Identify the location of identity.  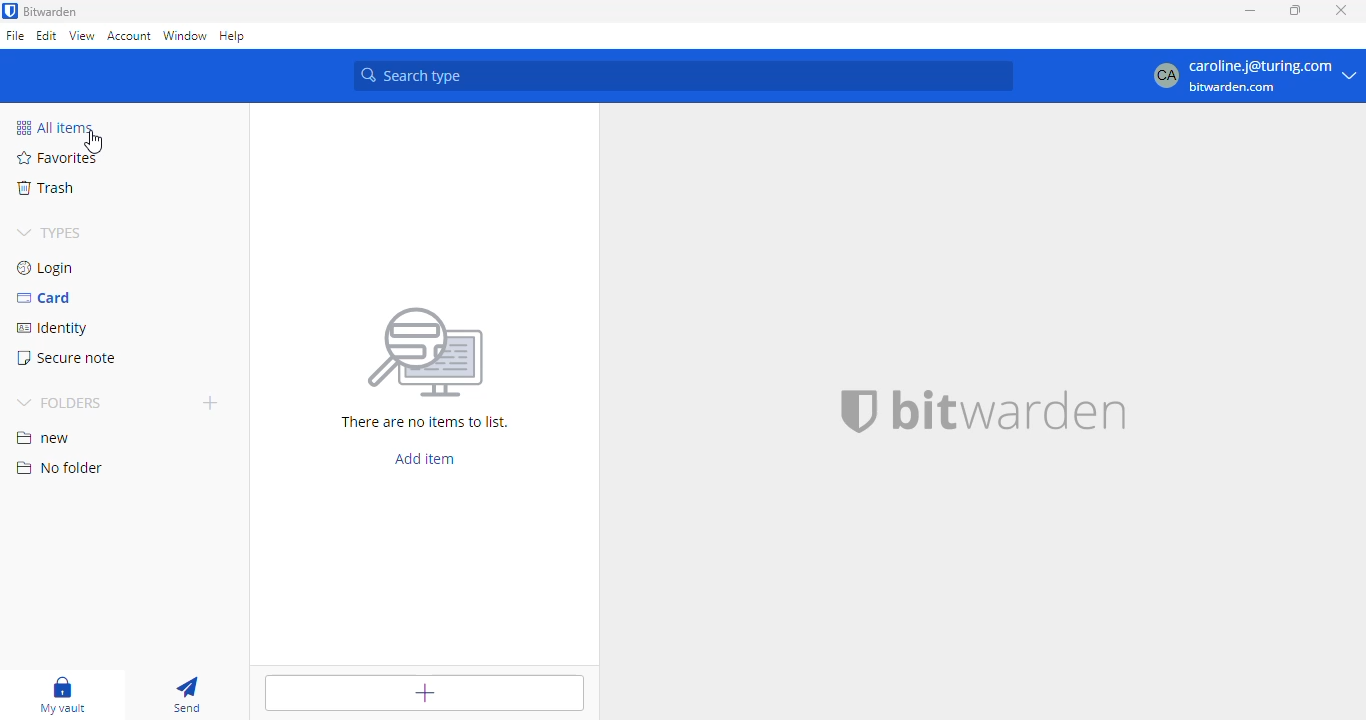
(52, 328).